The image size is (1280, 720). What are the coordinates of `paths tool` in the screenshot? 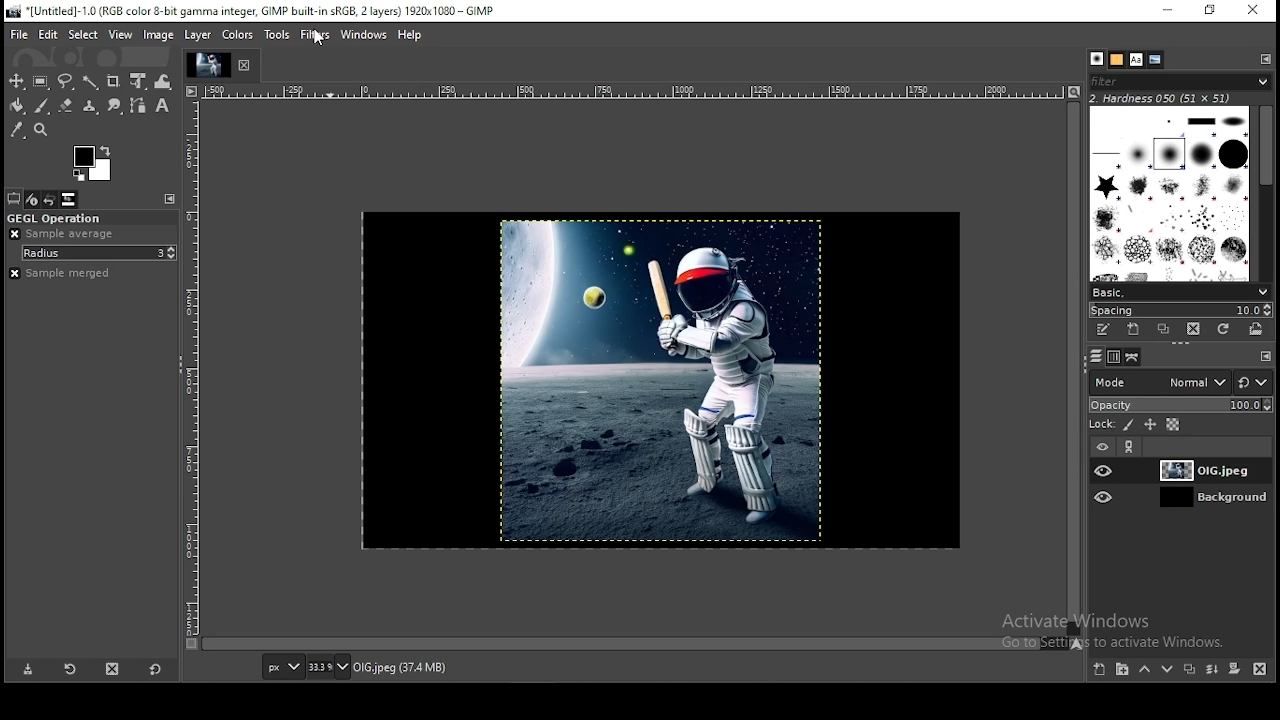 It's located at (138, 106).